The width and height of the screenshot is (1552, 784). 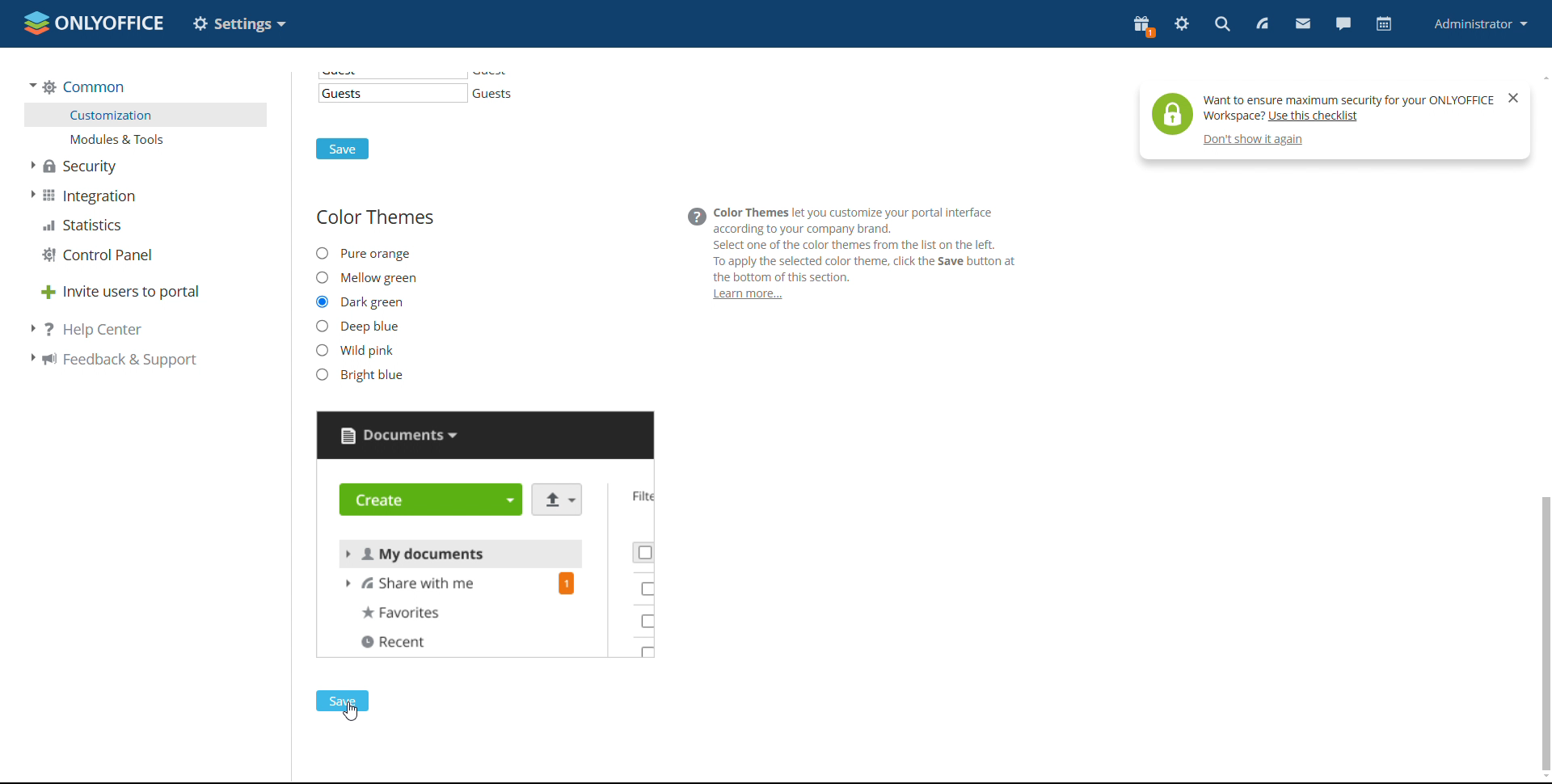 What do you see at coordinates (97, 256) in the screenshot?
I see `control panel` at bounding box center [97, 256].